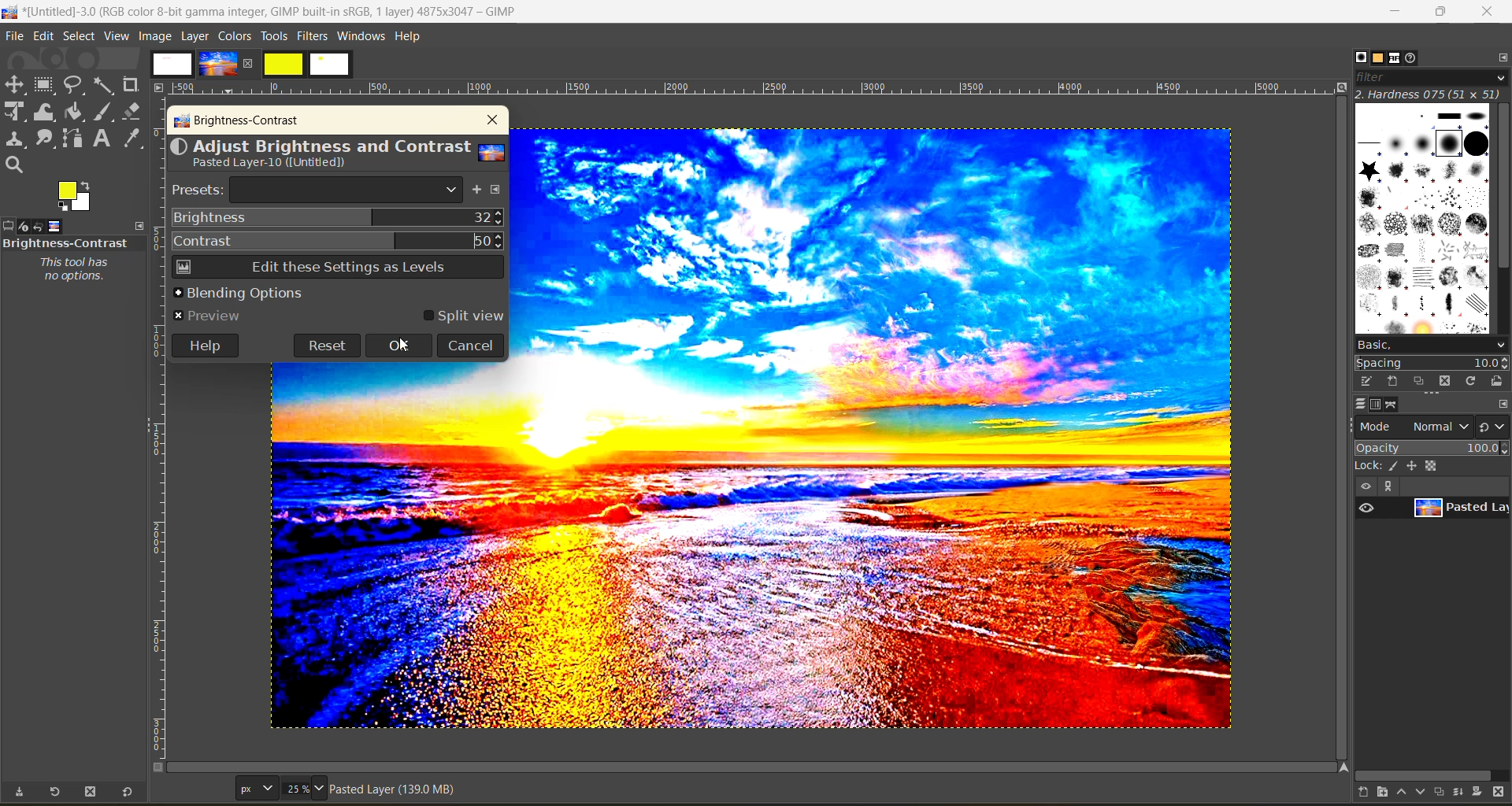  Describe the element at coordinates (1366, 507) in the screenshot. I see `preview` at that location.